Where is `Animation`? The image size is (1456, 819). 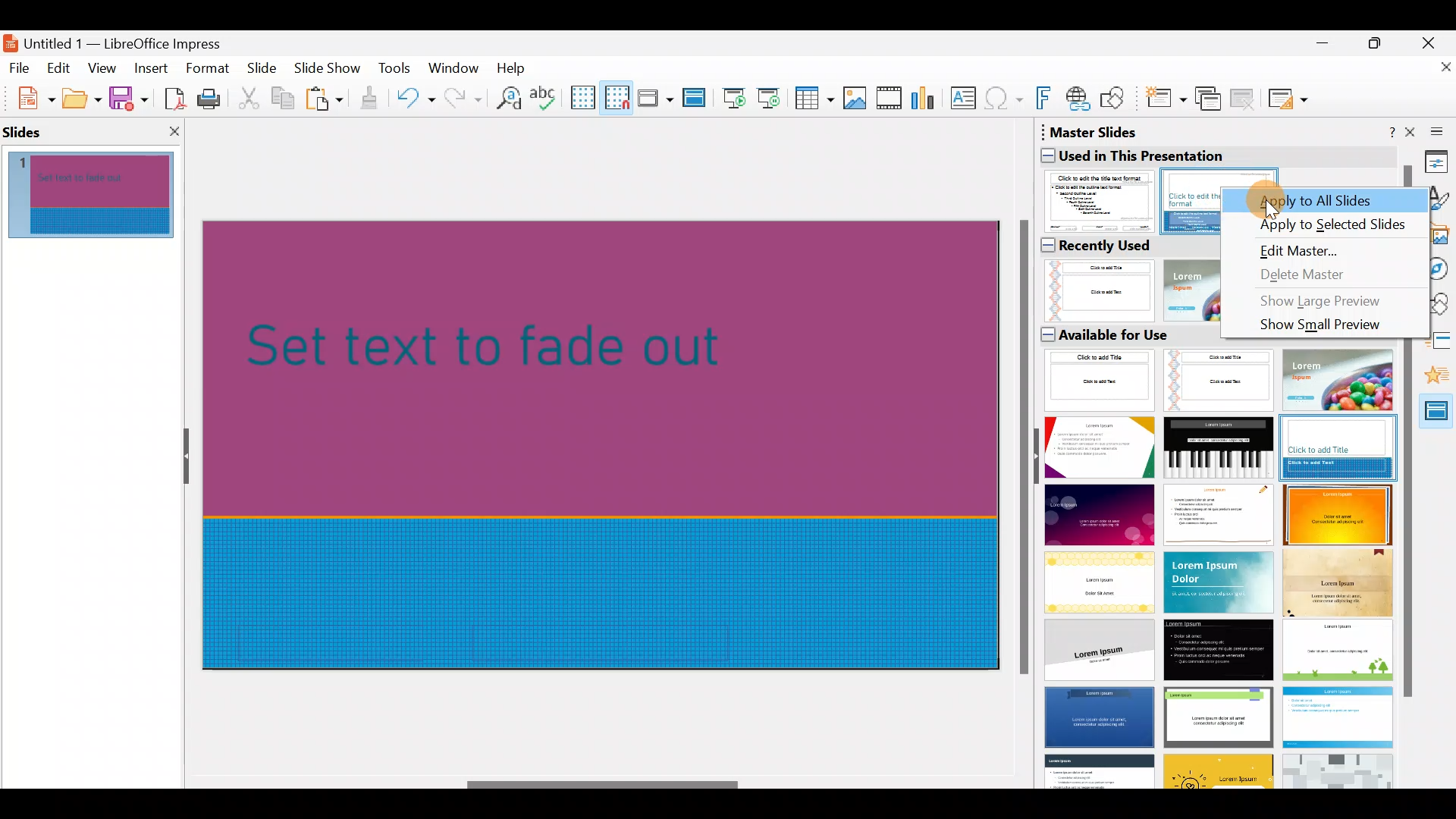
Animation is located at coordinates (1433, 380).